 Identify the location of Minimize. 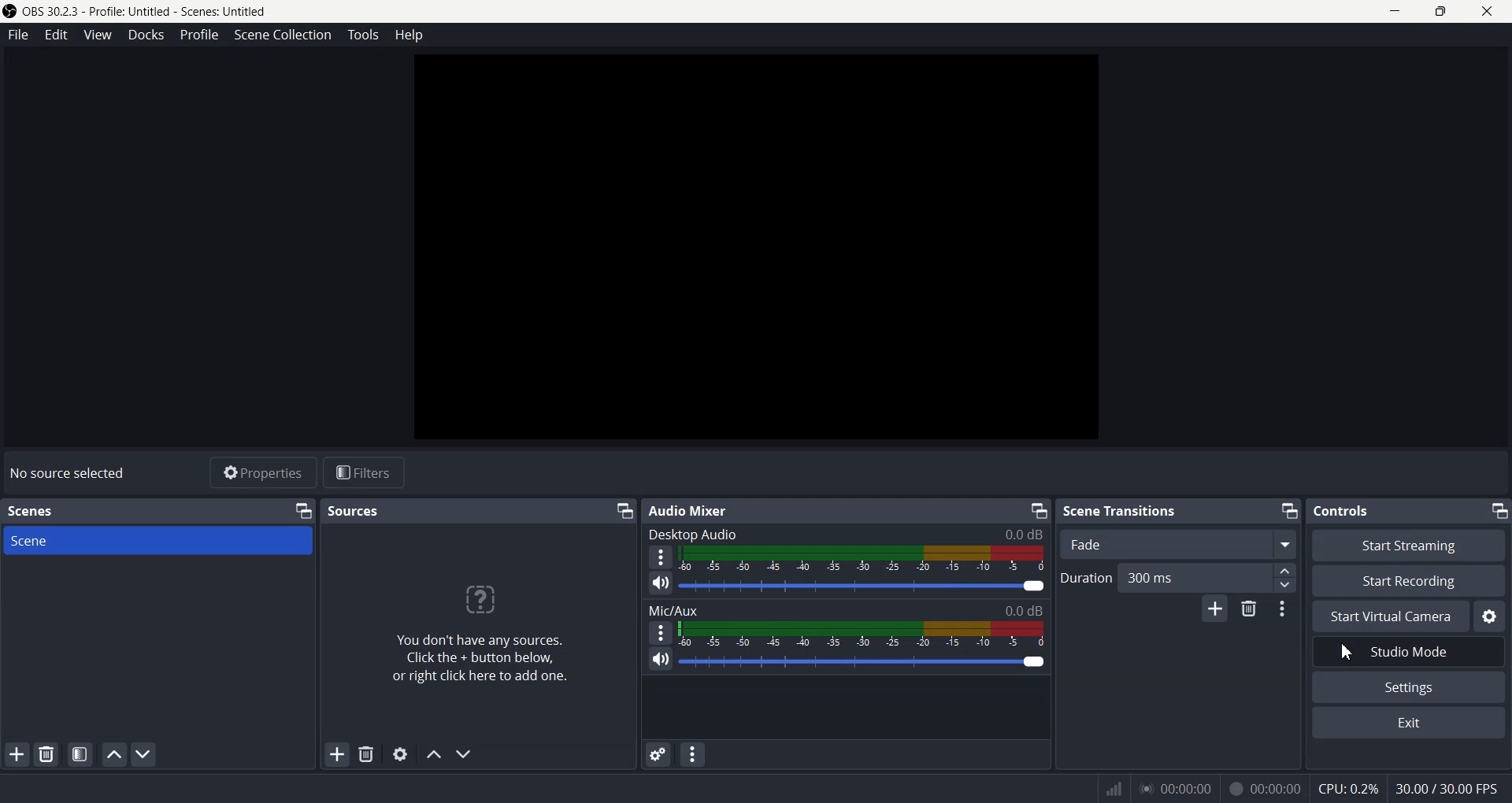
(1499, 511).